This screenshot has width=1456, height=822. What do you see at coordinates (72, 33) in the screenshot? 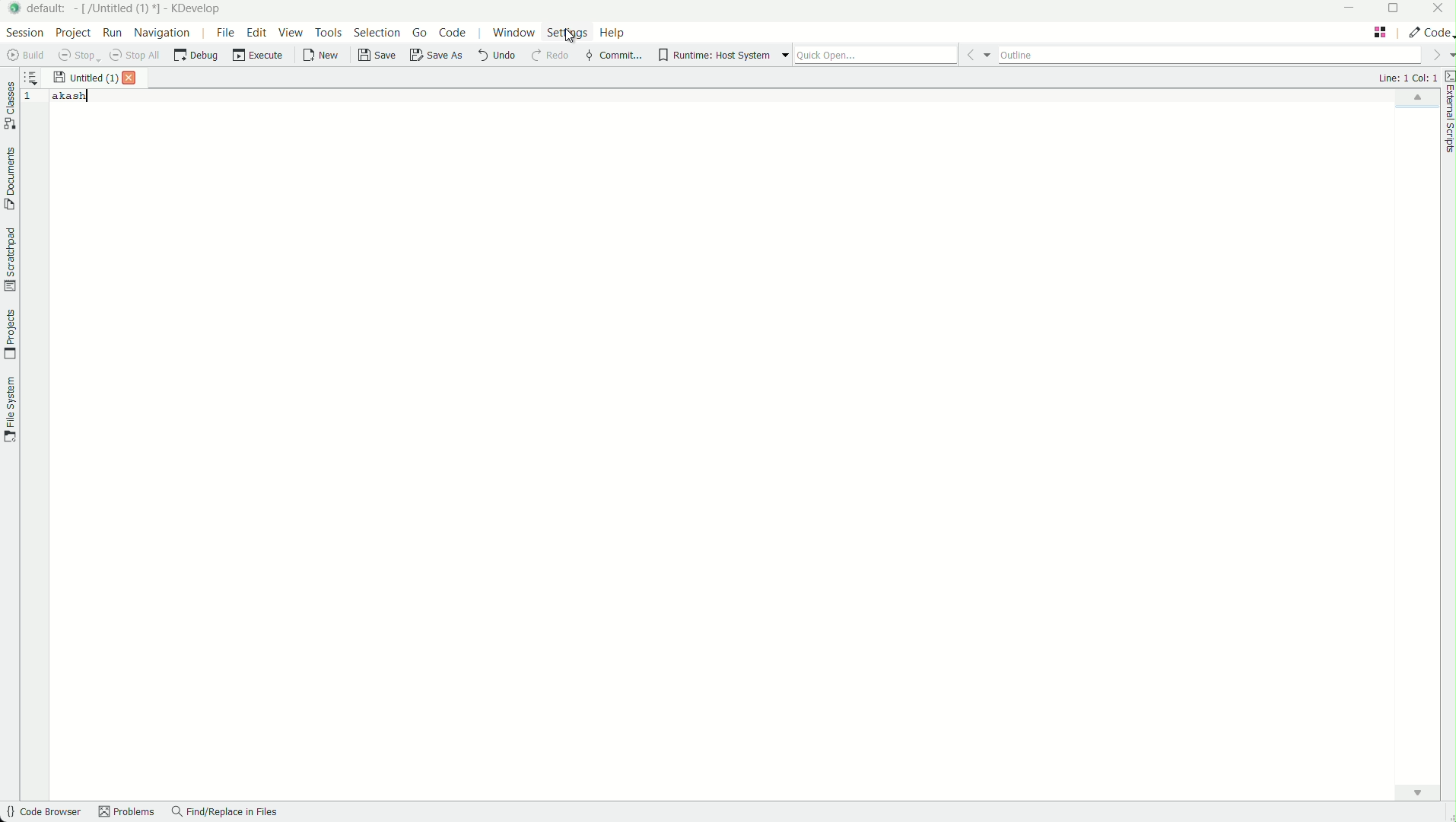
I see `project menu` at bounding box center [72, 33].